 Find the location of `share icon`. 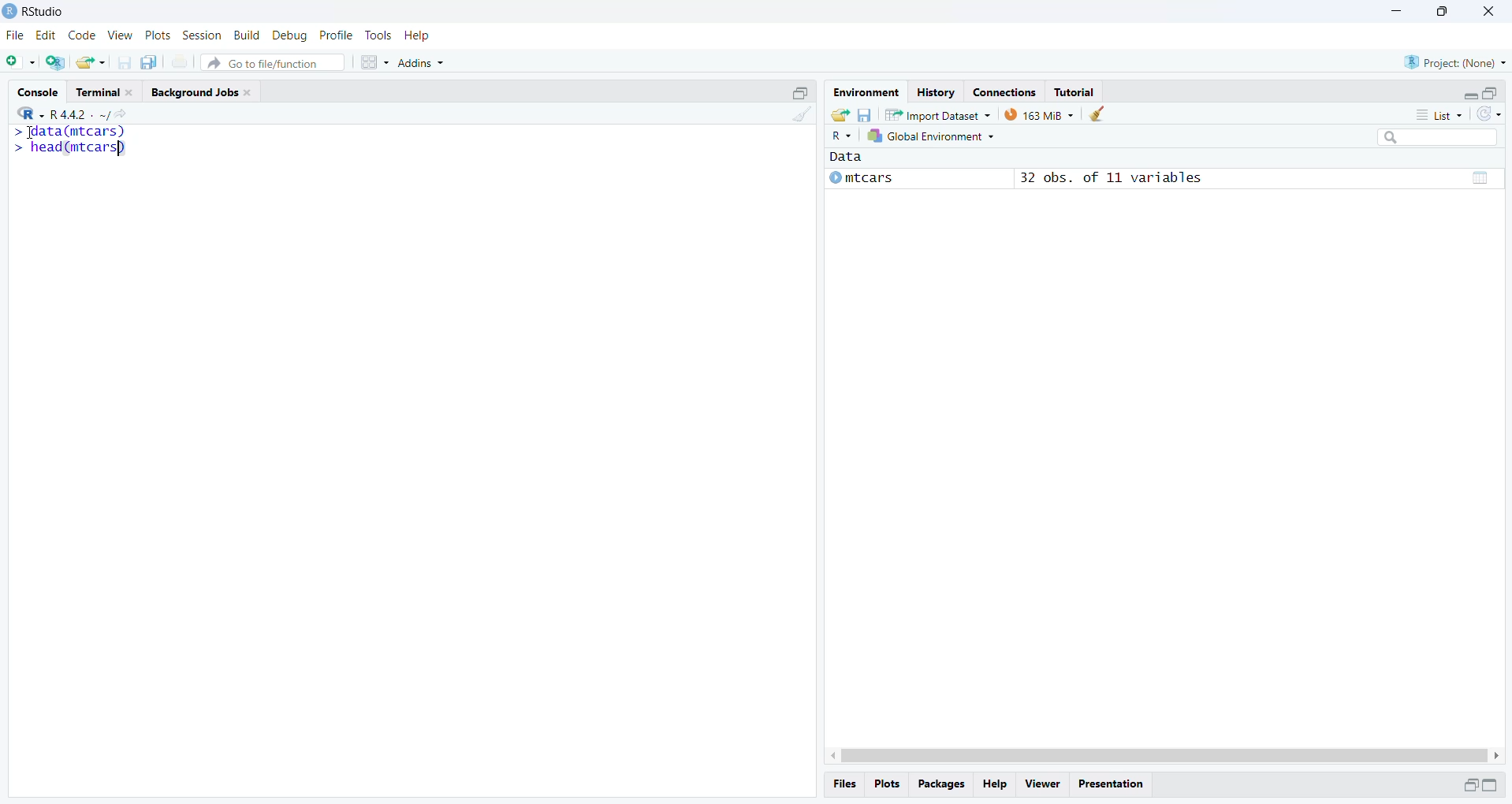

share icon is located at coordinates (121, 115).